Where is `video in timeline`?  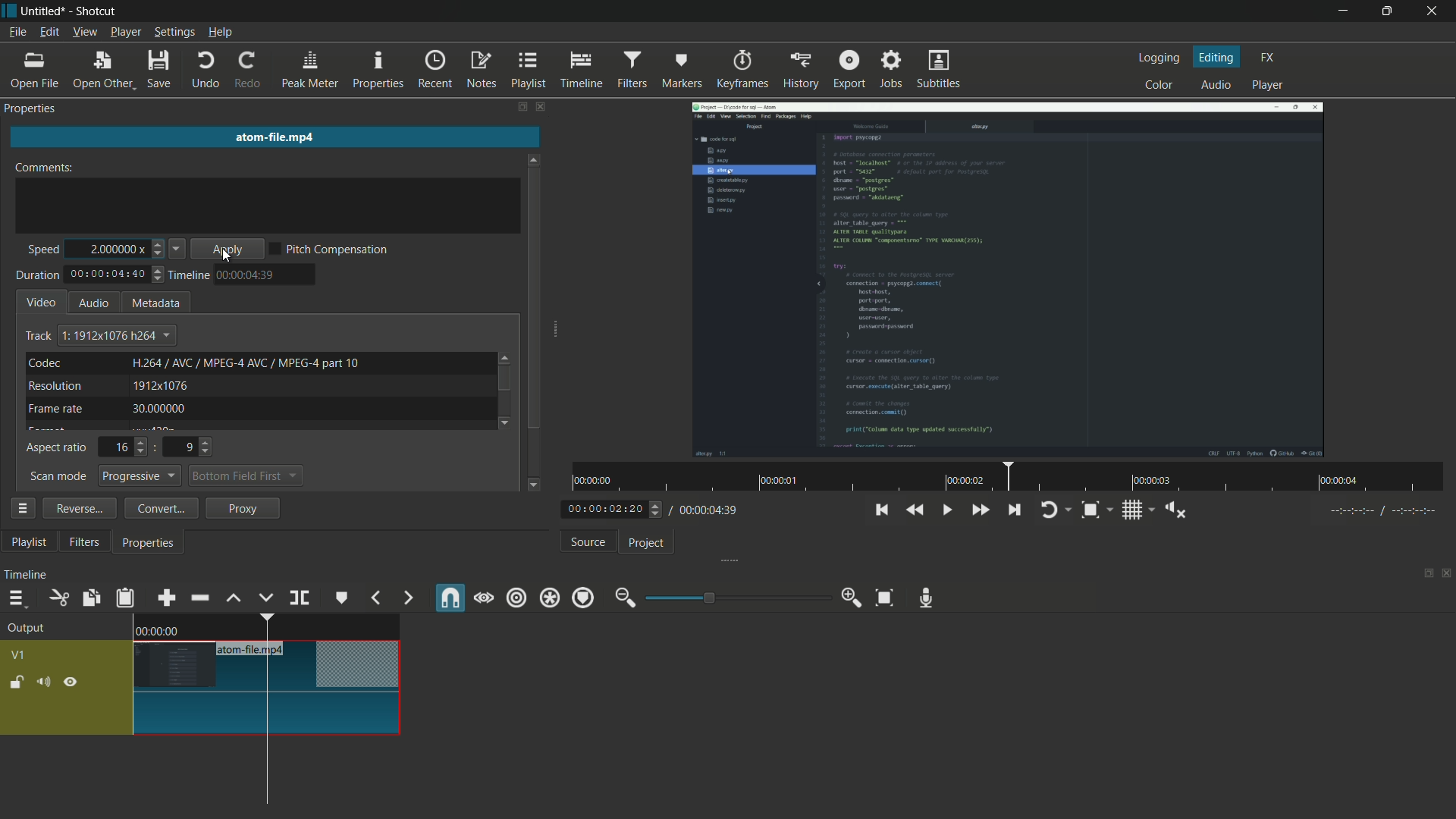
video in timeline is located at coordinates (268, 675).